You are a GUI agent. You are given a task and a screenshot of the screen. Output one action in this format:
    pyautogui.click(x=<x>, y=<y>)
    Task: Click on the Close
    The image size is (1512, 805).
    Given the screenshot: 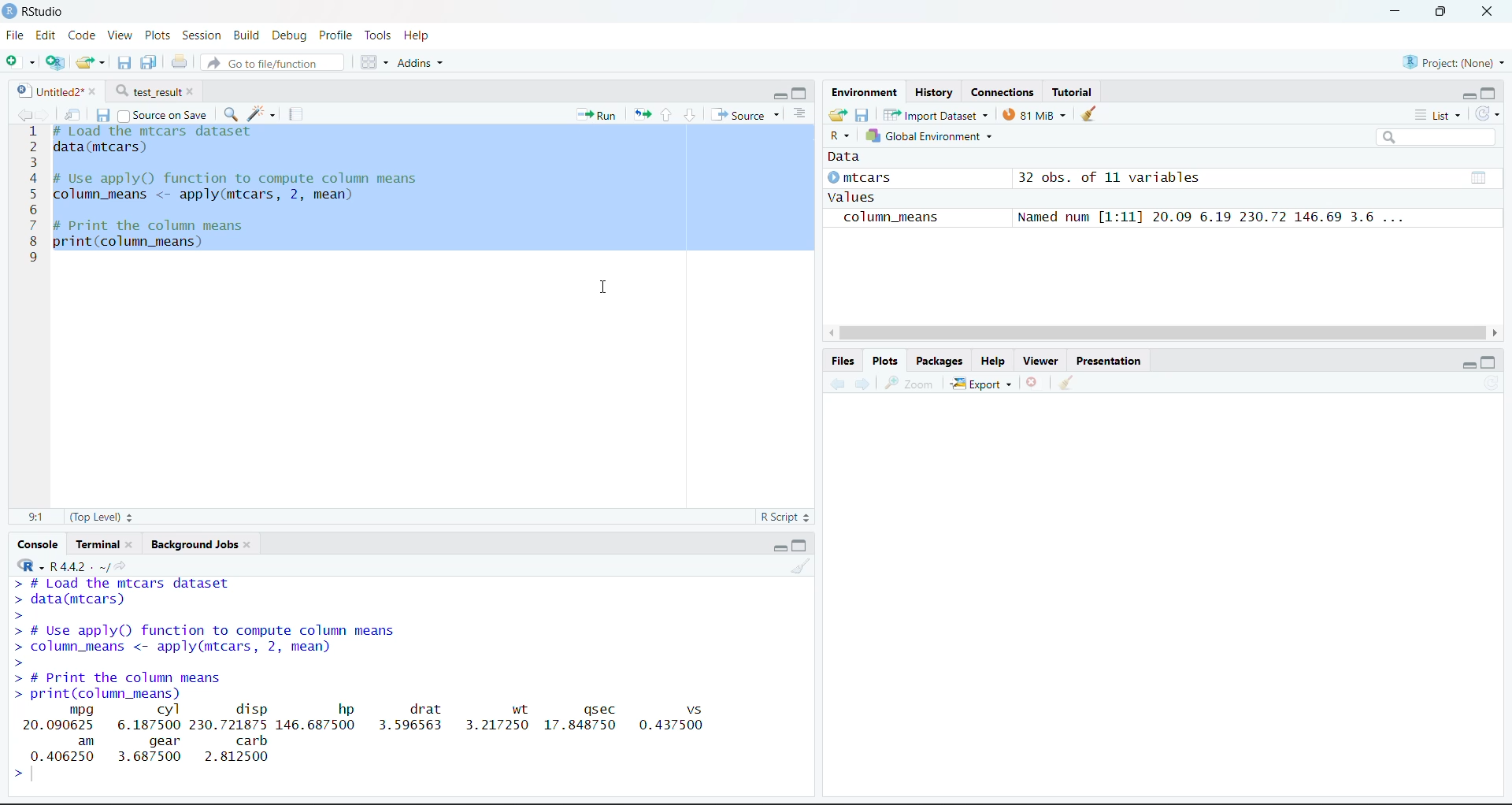 What is the action you would take?
    pyautogui.click(x=1483, y=13)
    